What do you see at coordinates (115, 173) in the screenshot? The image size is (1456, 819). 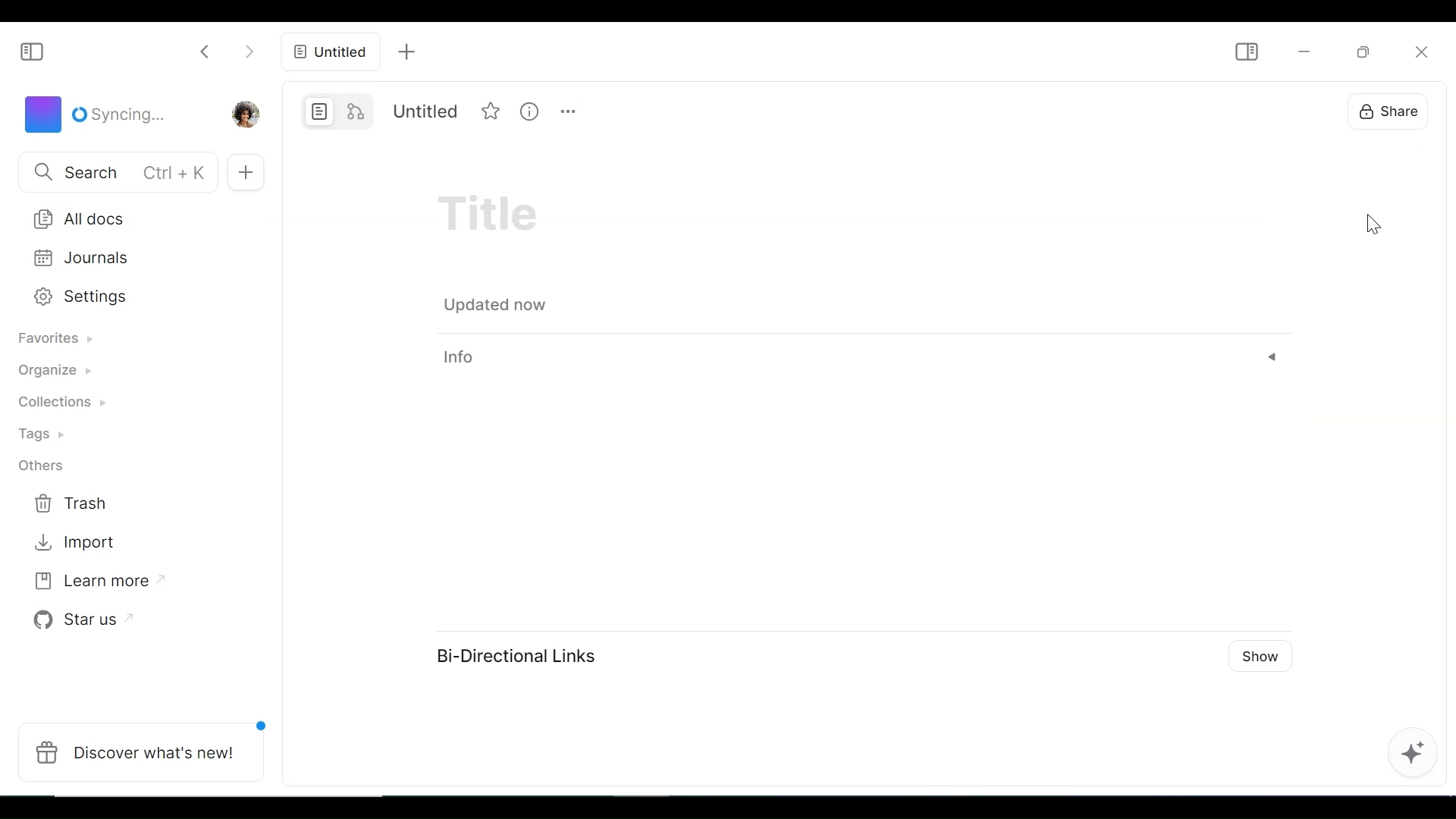 I see `Search` at bounding box center [115, 173].